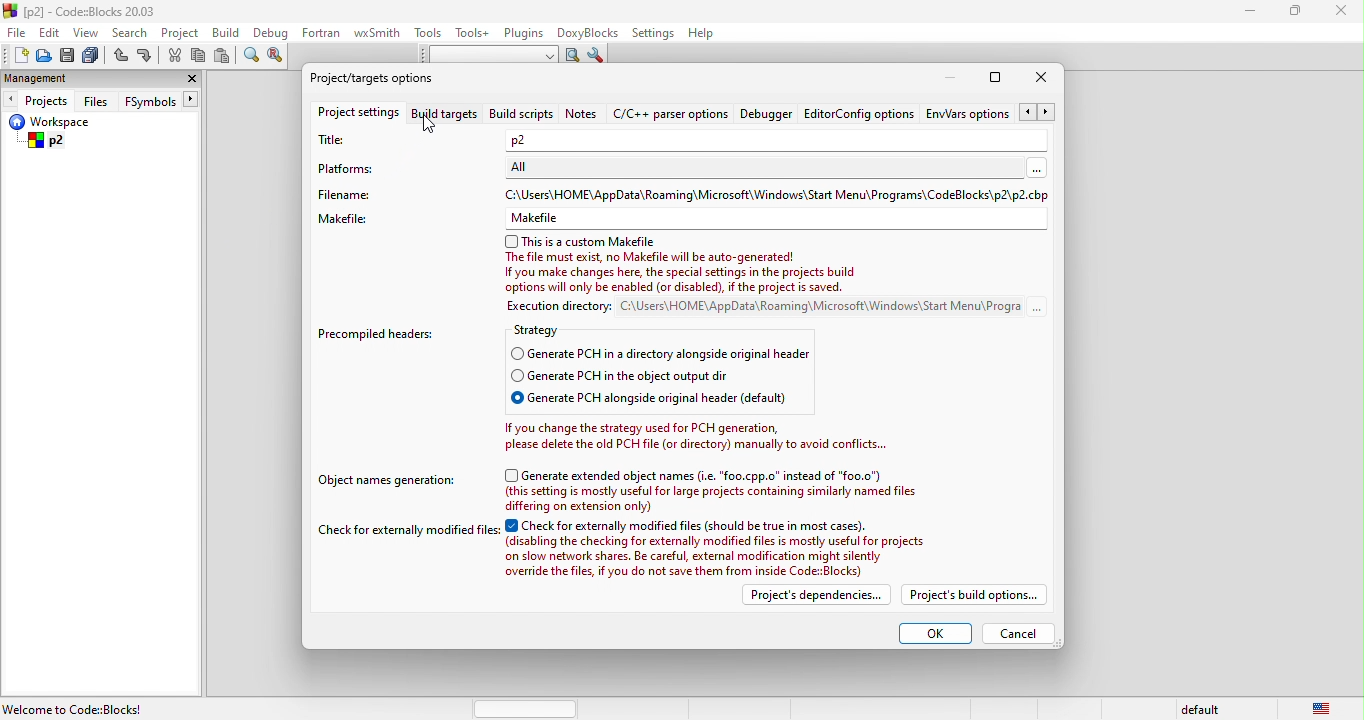 The width and height of the screenshot is (1364, 720). What do you see at coordinates (581, 242) in the screenshot?
I see `This is a custom Makefile` at bounding box center [581, 242].